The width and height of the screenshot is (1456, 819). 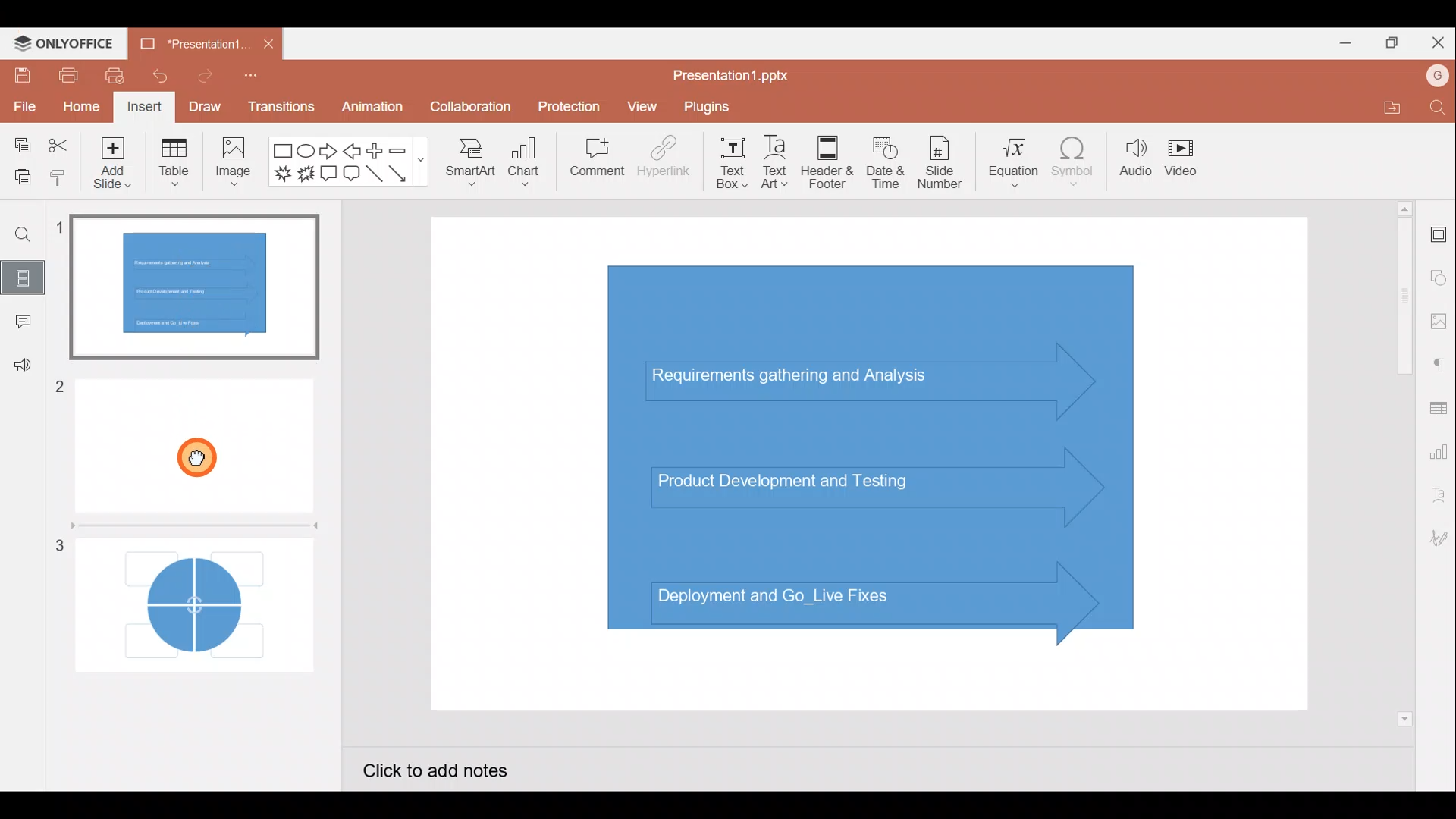 What do you see at coordinates (201, 288) in the screenshot?
I see `Slide 1` at bounding box center [201, 288].